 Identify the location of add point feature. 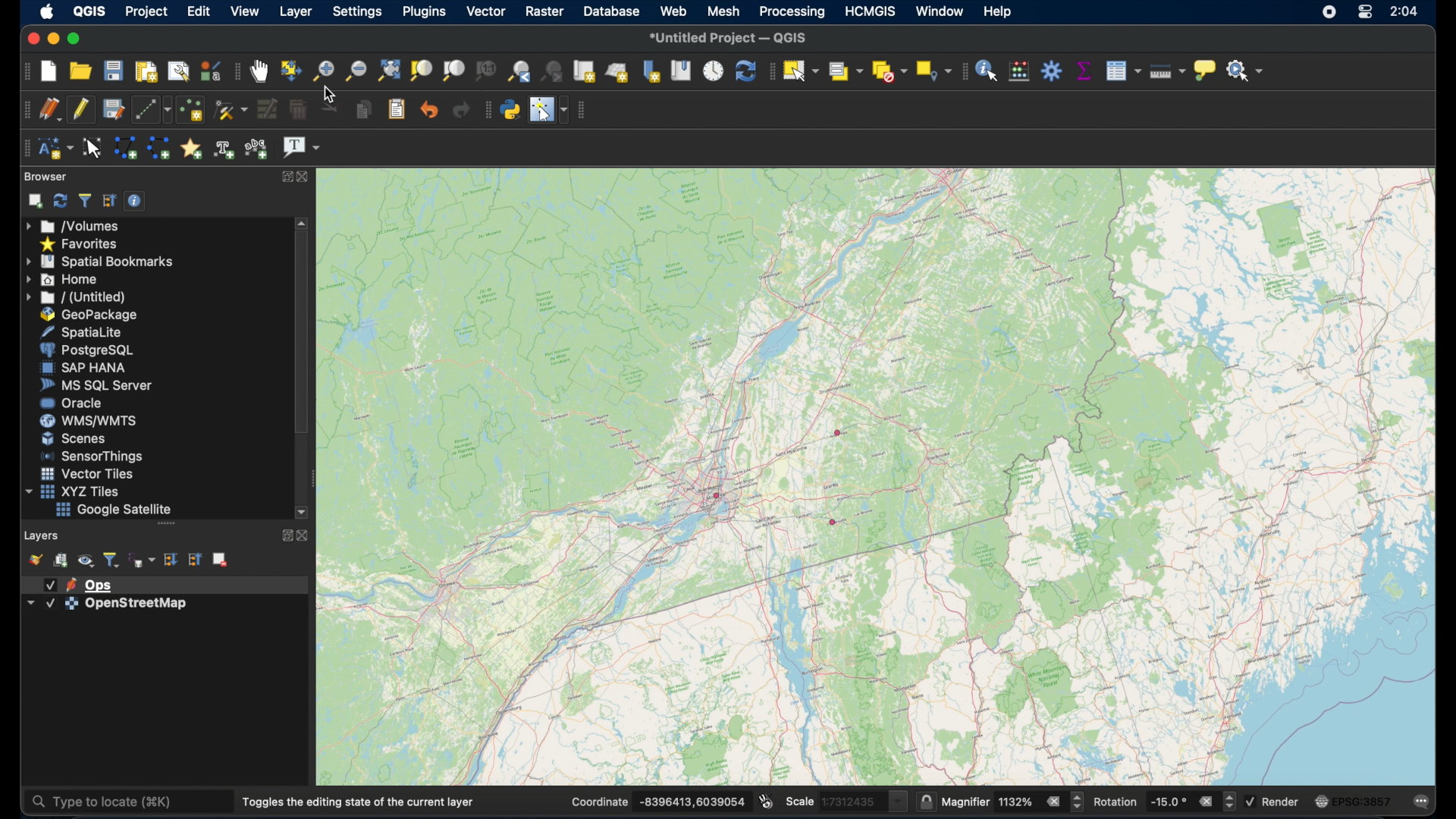
(192, 110).